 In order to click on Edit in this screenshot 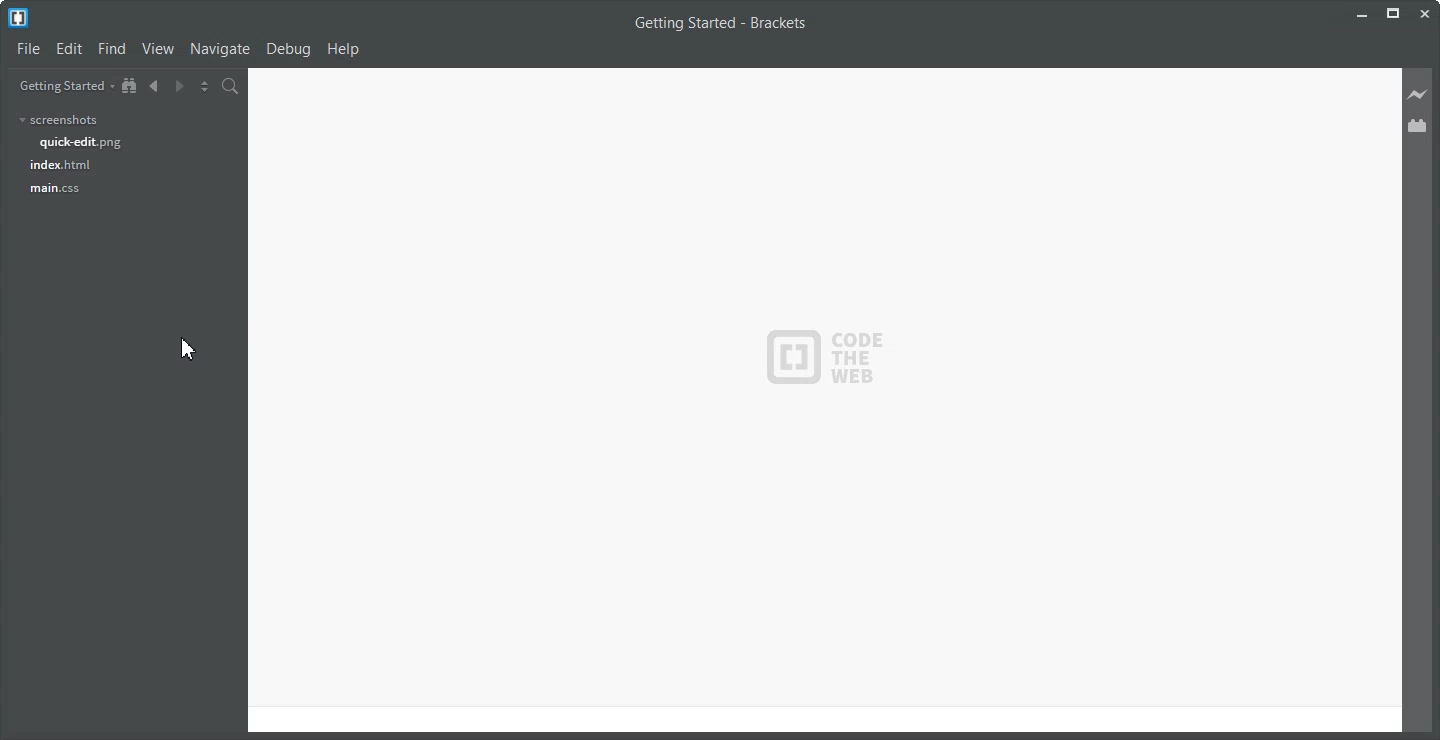, I will do `click(69, 48)`.